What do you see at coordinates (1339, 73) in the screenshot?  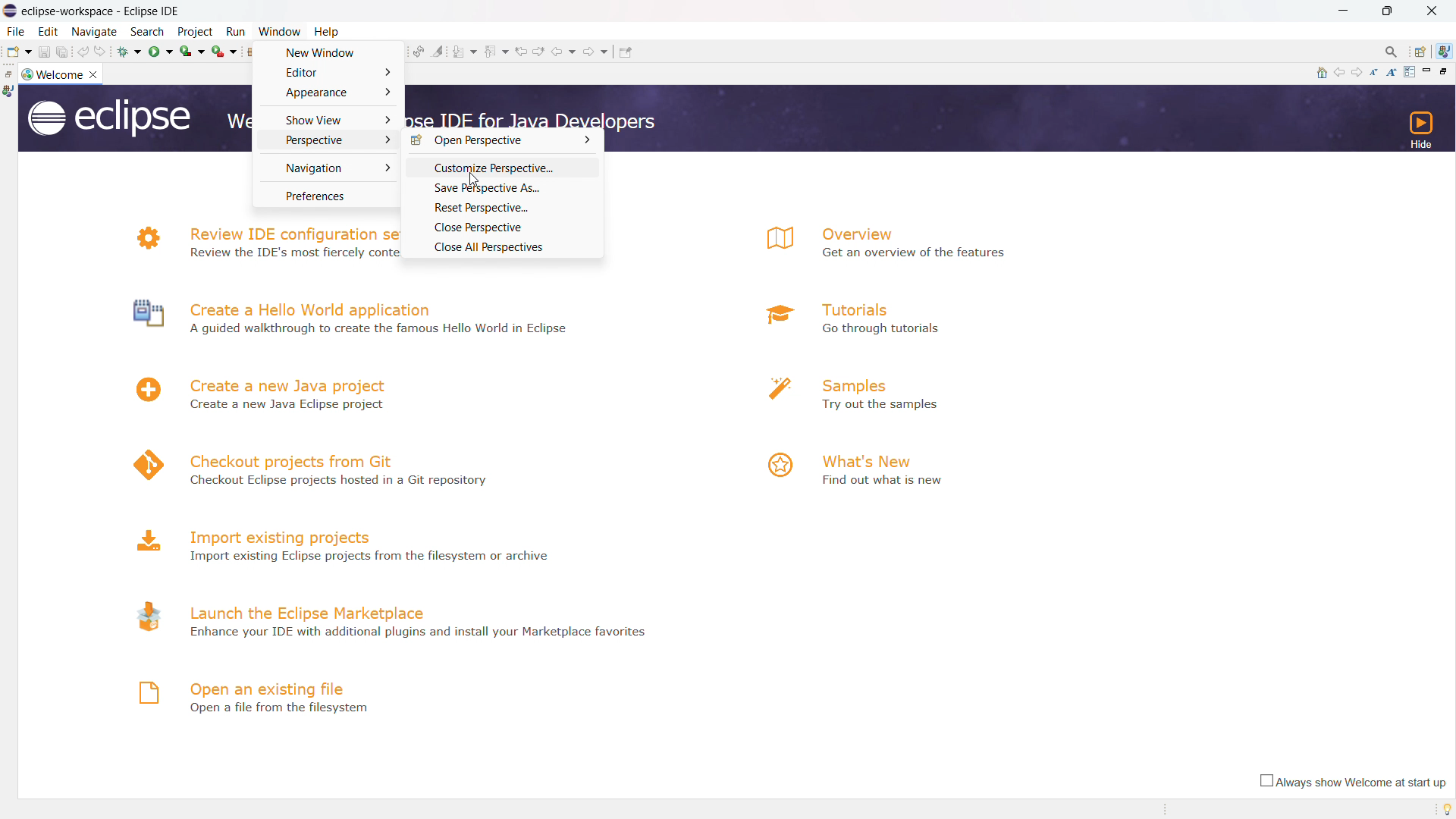 I see `navigate to previous topic` at bounding box center [1339, 73].